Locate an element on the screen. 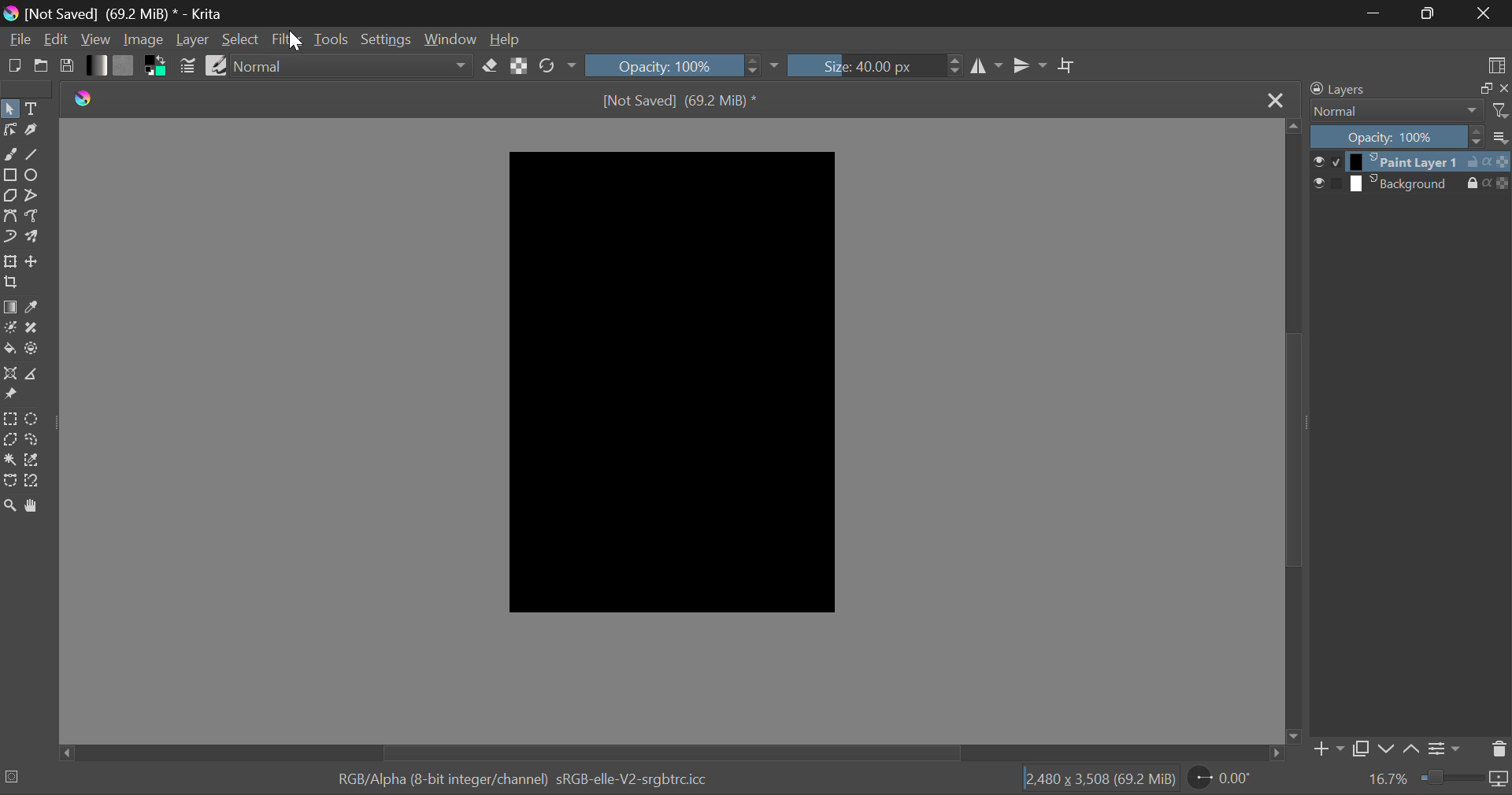  close is located at coordinates (1503, 87).